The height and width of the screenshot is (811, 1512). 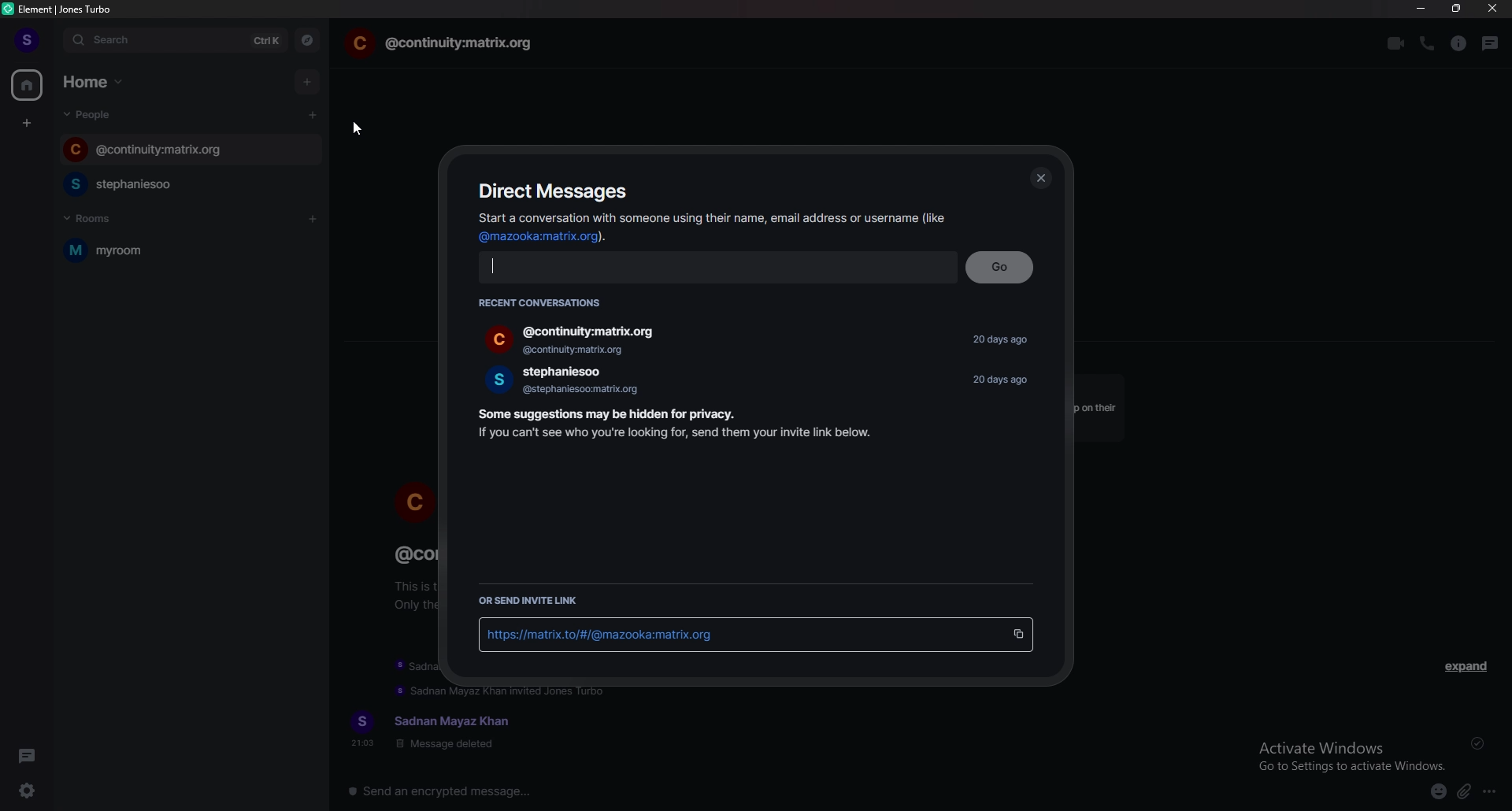 I want to click on create space, so click(x=28, y=124).